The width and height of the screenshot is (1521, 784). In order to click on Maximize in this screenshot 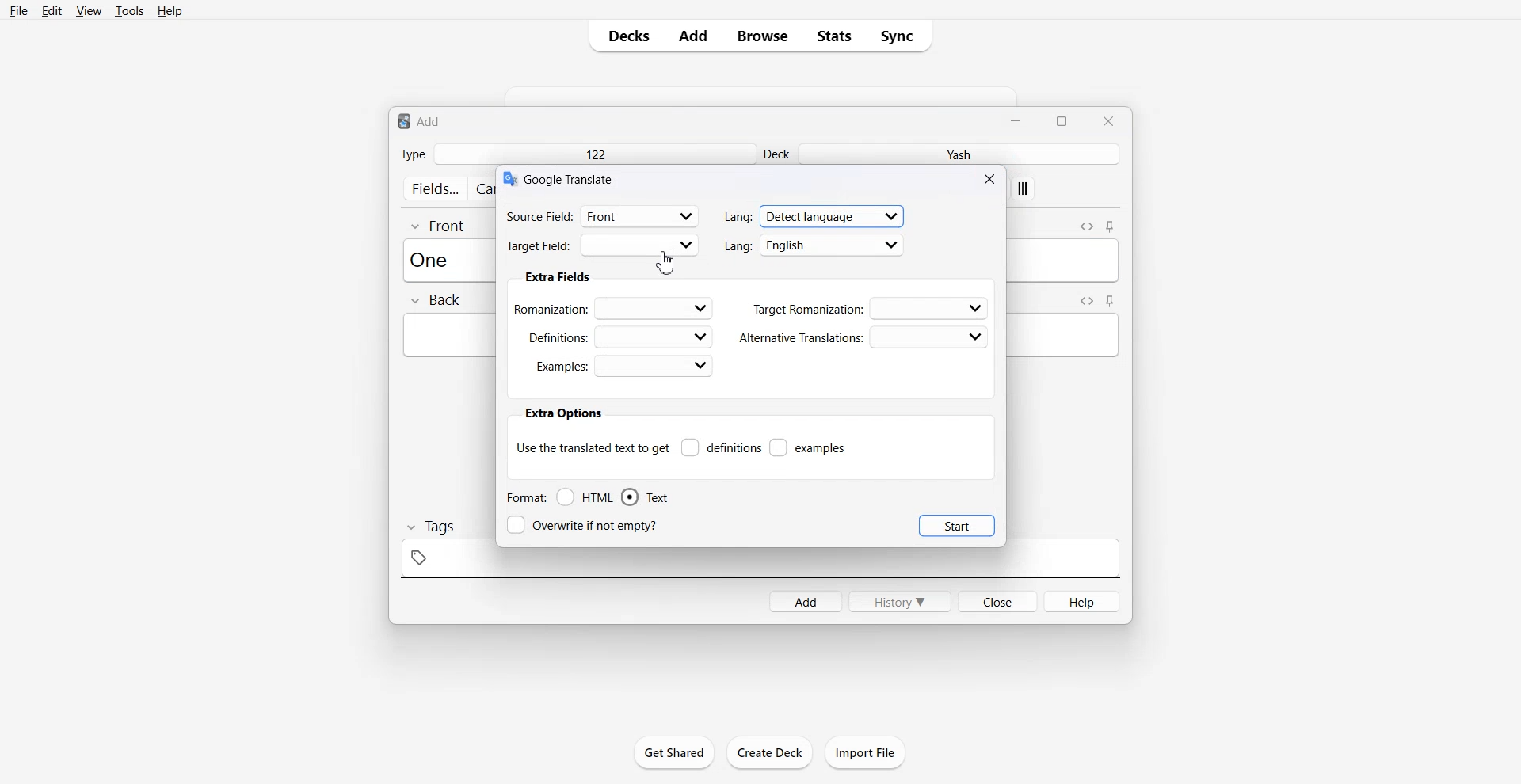, I will do `click(1065, 120)`.